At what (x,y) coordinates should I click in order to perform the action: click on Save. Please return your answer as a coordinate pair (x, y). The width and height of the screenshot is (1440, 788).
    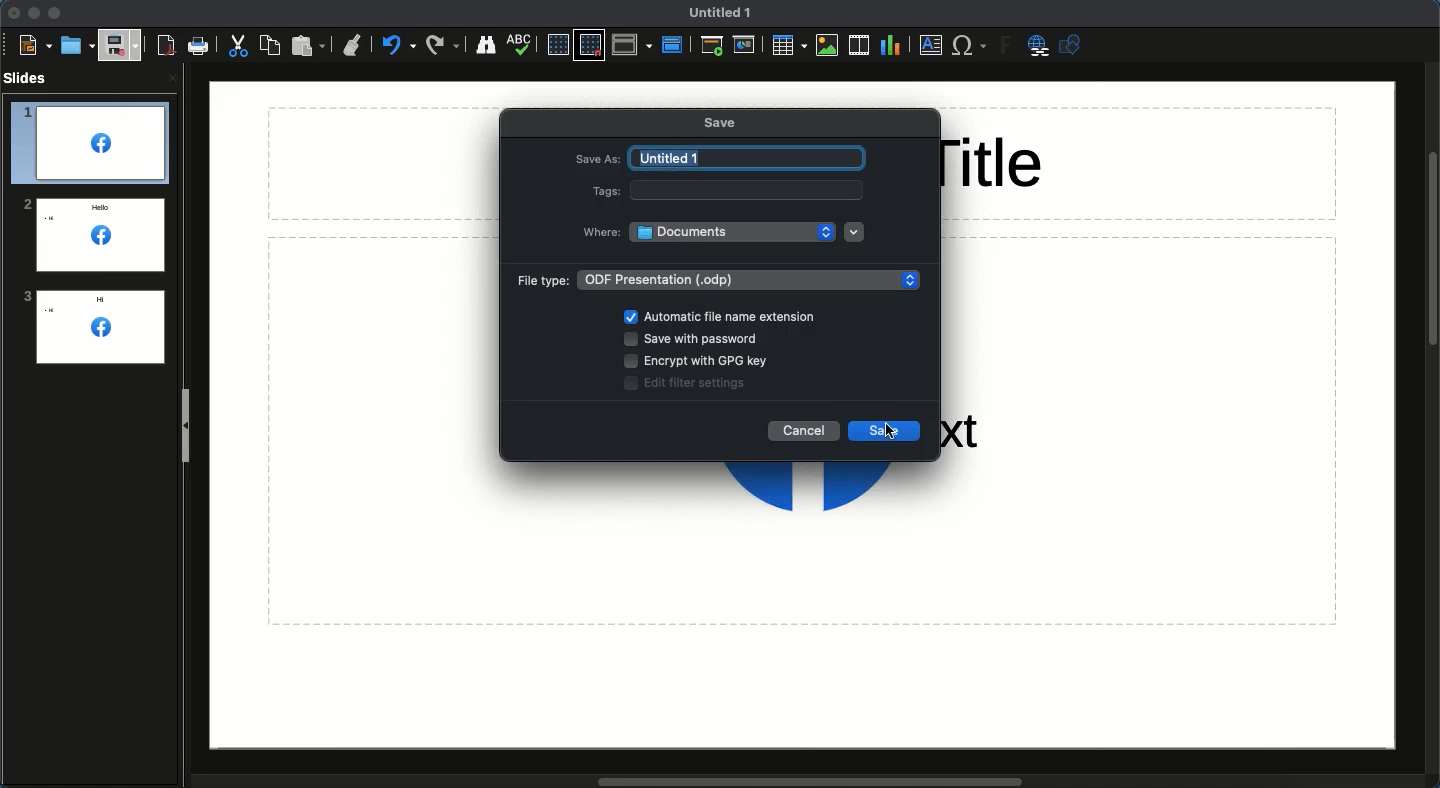
    Looking at the image, I should click on (121, 44).